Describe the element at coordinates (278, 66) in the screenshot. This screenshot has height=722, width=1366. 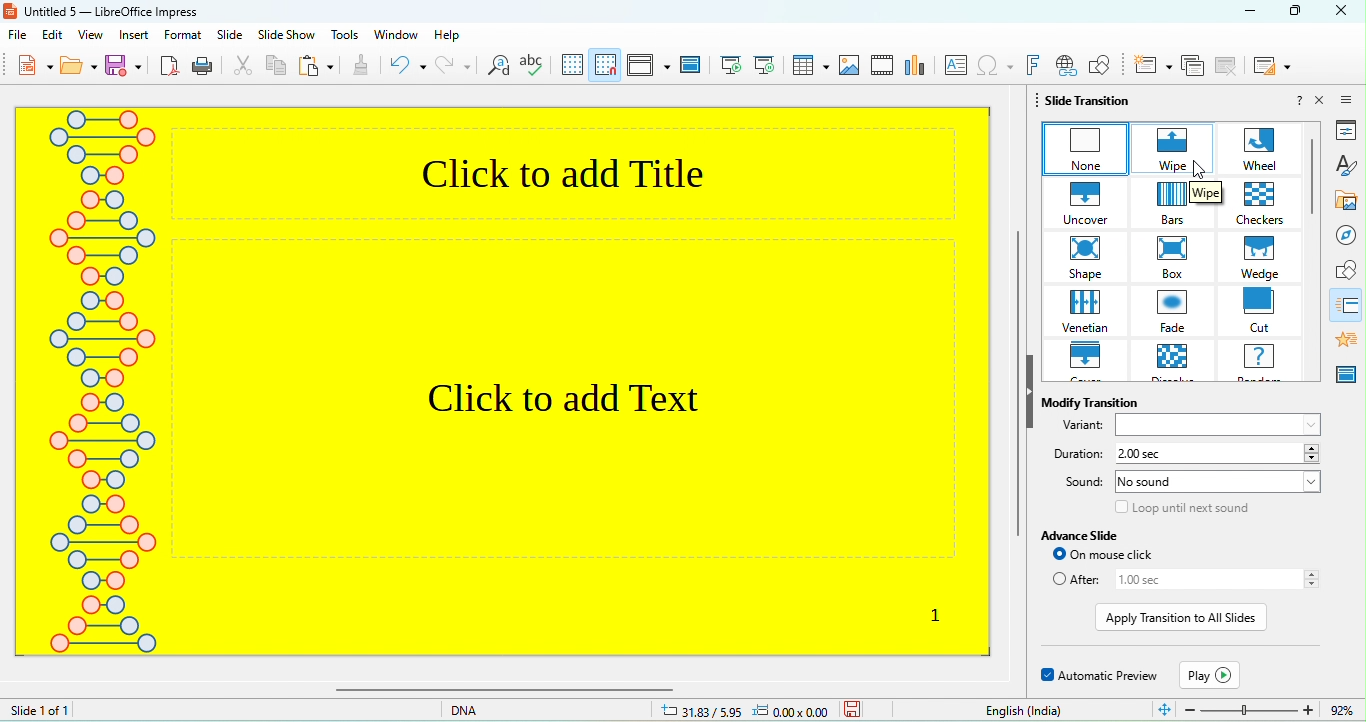
I see `copy` at that location.